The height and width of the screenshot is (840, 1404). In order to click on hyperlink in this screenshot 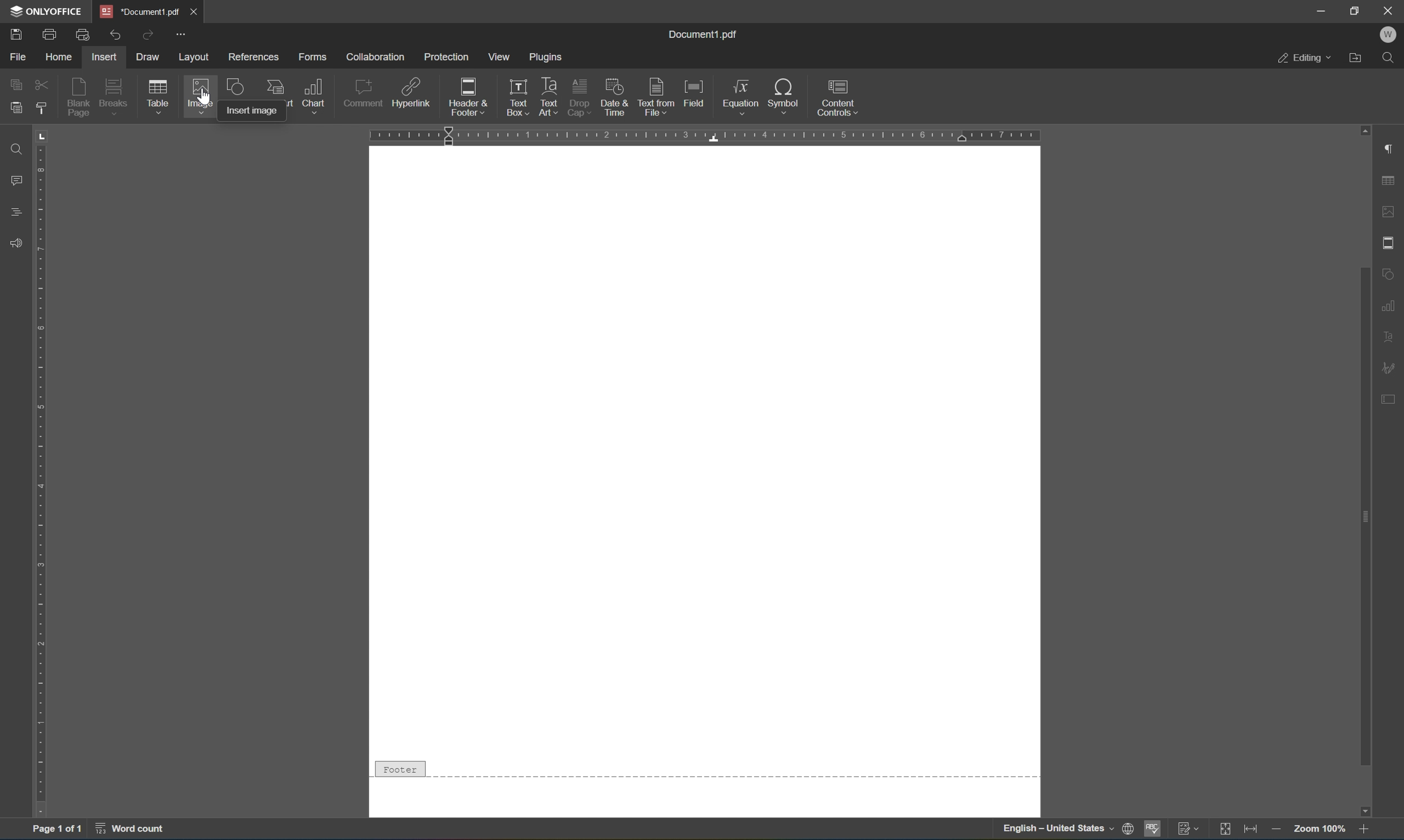, I will do `click(411, 92)`.